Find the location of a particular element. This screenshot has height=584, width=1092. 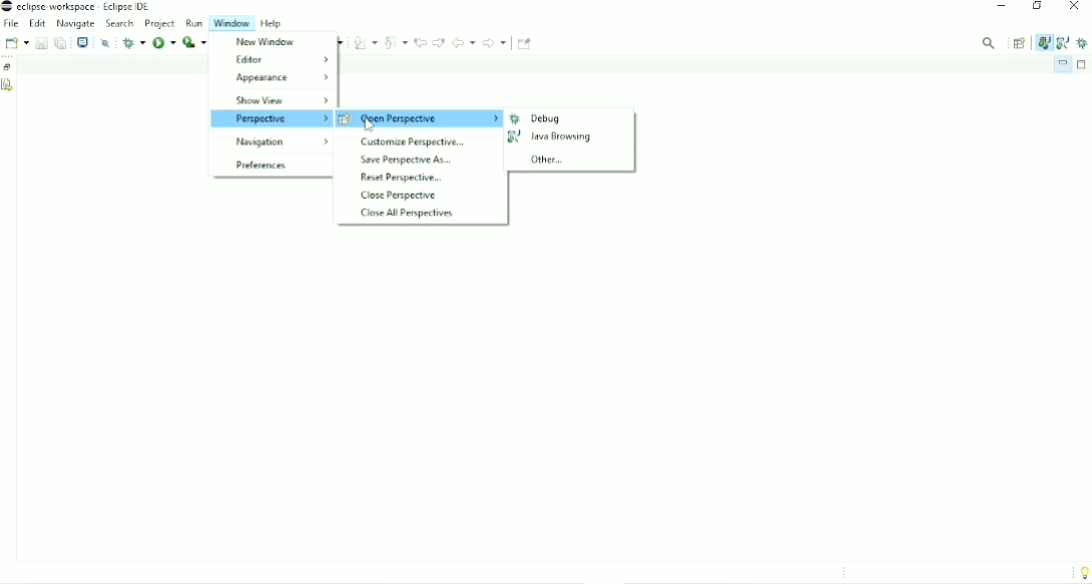

Search is located at coordinates (120, 23).